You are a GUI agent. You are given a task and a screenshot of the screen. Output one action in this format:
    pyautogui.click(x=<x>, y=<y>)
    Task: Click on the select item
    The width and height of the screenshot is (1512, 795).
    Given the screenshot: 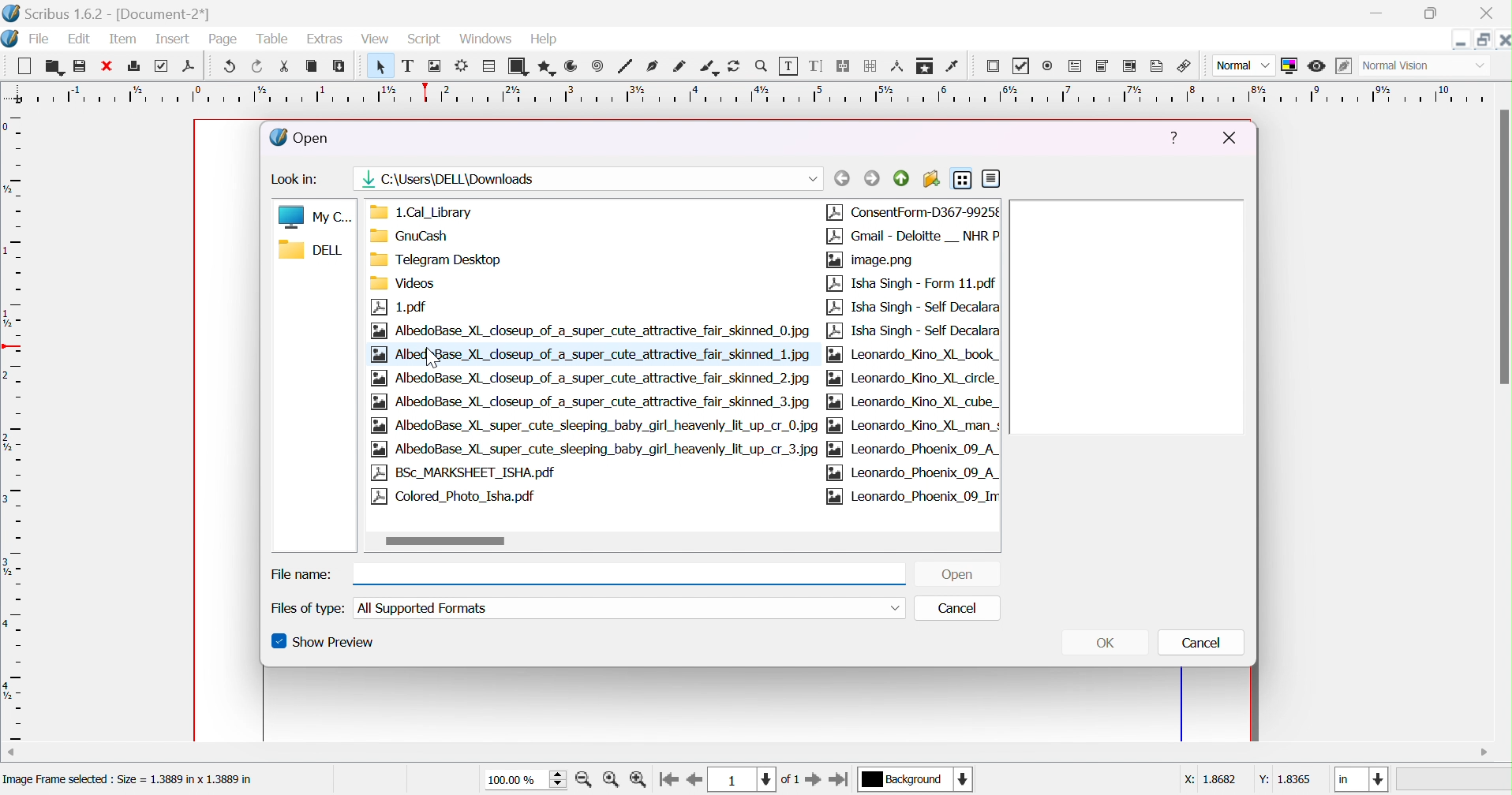 What is the action you would take?
    pyautogui.click(x=382, y=68)
    